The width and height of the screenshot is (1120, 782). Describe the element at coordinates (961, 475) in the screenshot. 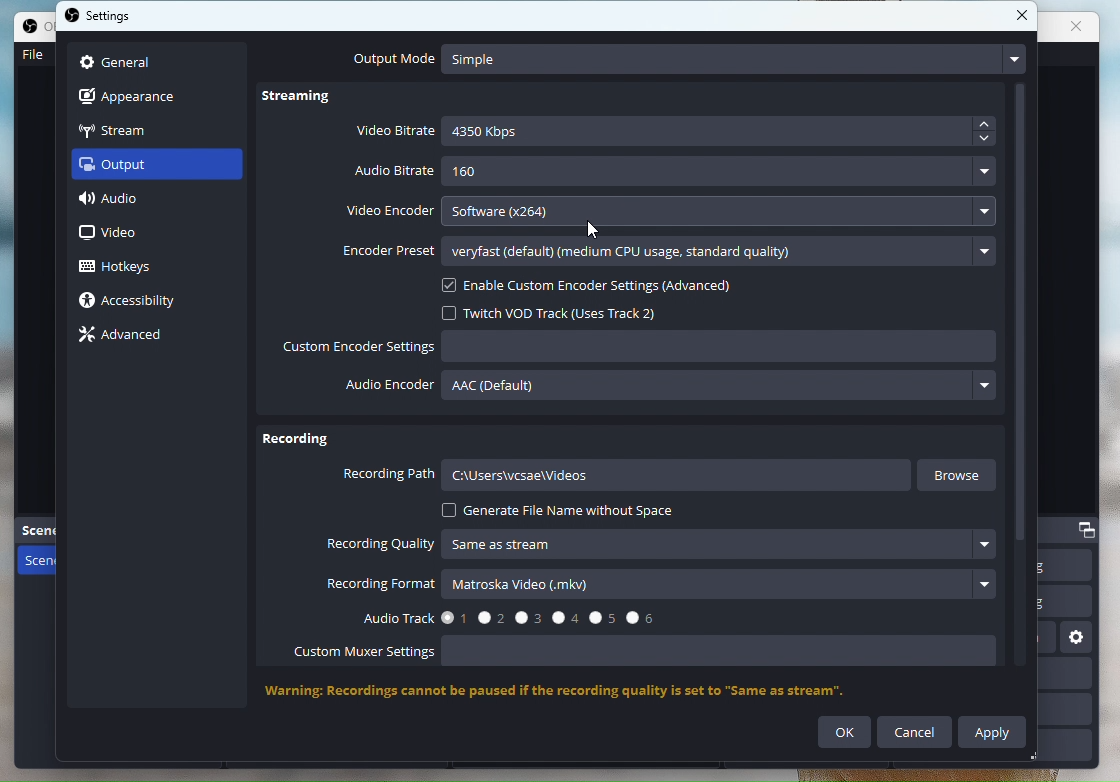

I see `Browse` at that location.